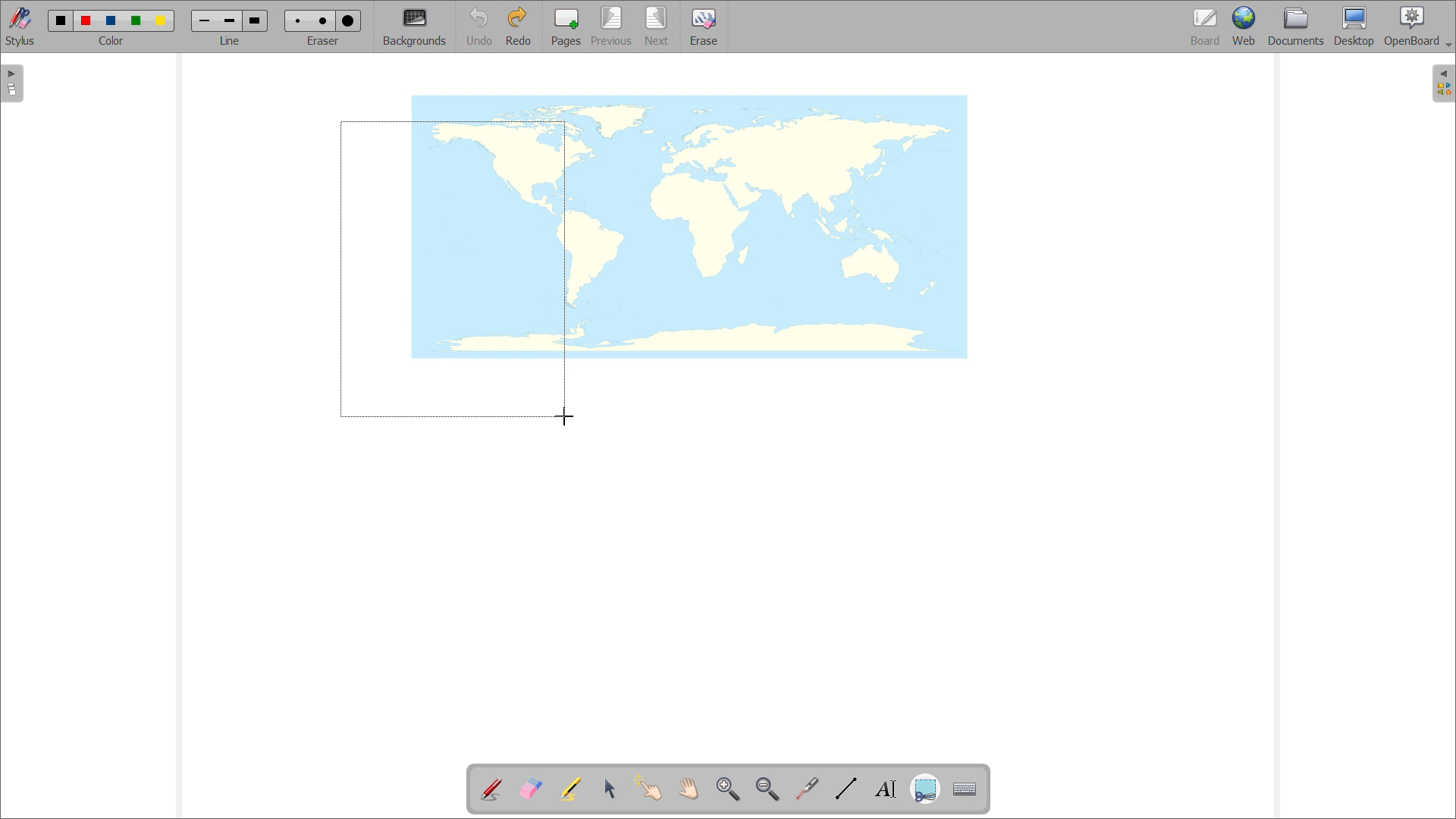 The width and height of the screenshot is (1456, 819). I want to click on redo, so click(518, 26).